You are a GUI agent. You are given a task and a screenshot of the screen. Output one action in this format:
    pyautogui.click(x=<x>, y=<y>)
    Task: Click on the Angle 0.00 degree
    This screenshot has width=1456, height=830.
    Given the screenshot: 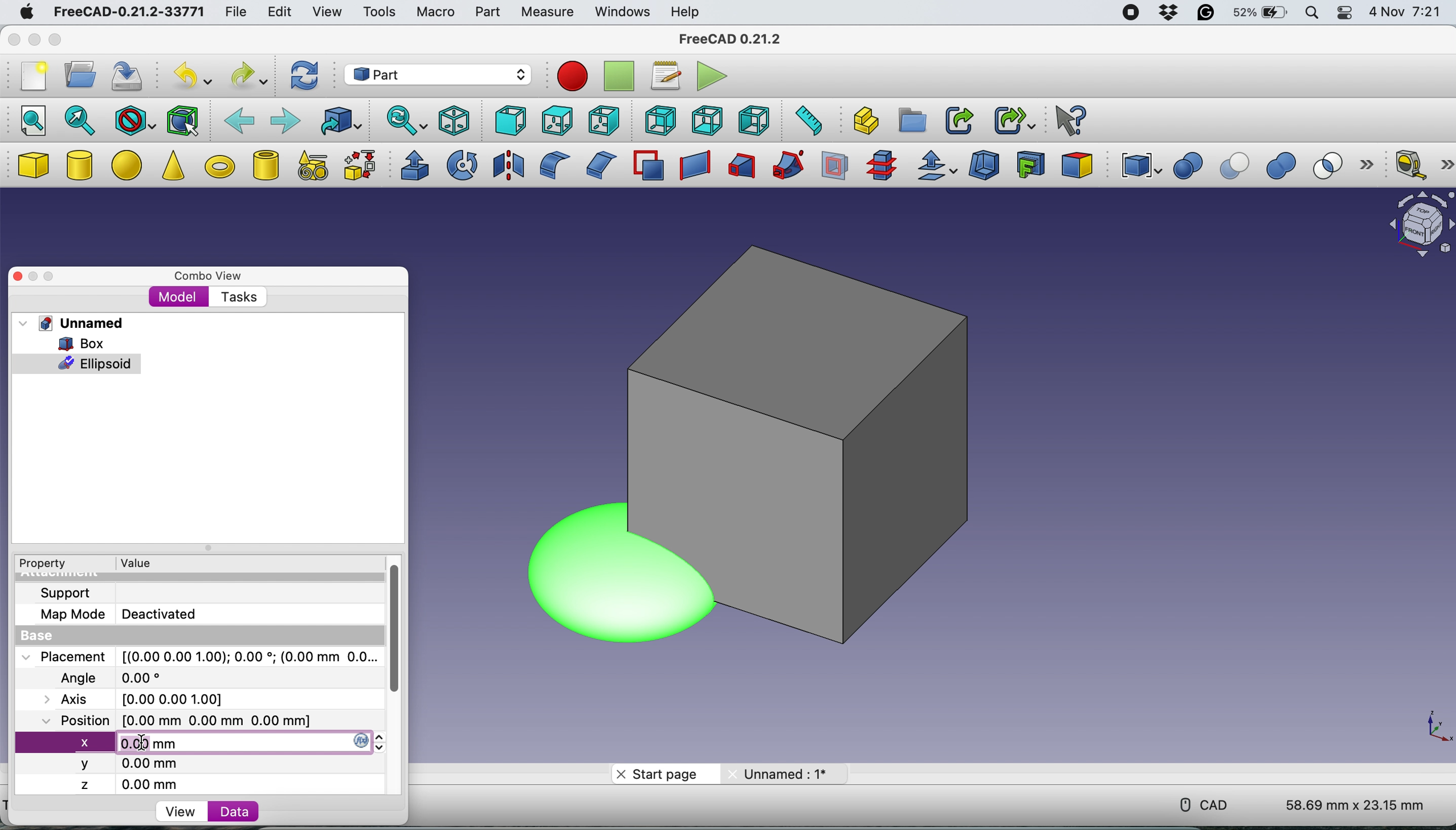 What is the action you would take?
    pyautogui.click(x=108, y=676)
    